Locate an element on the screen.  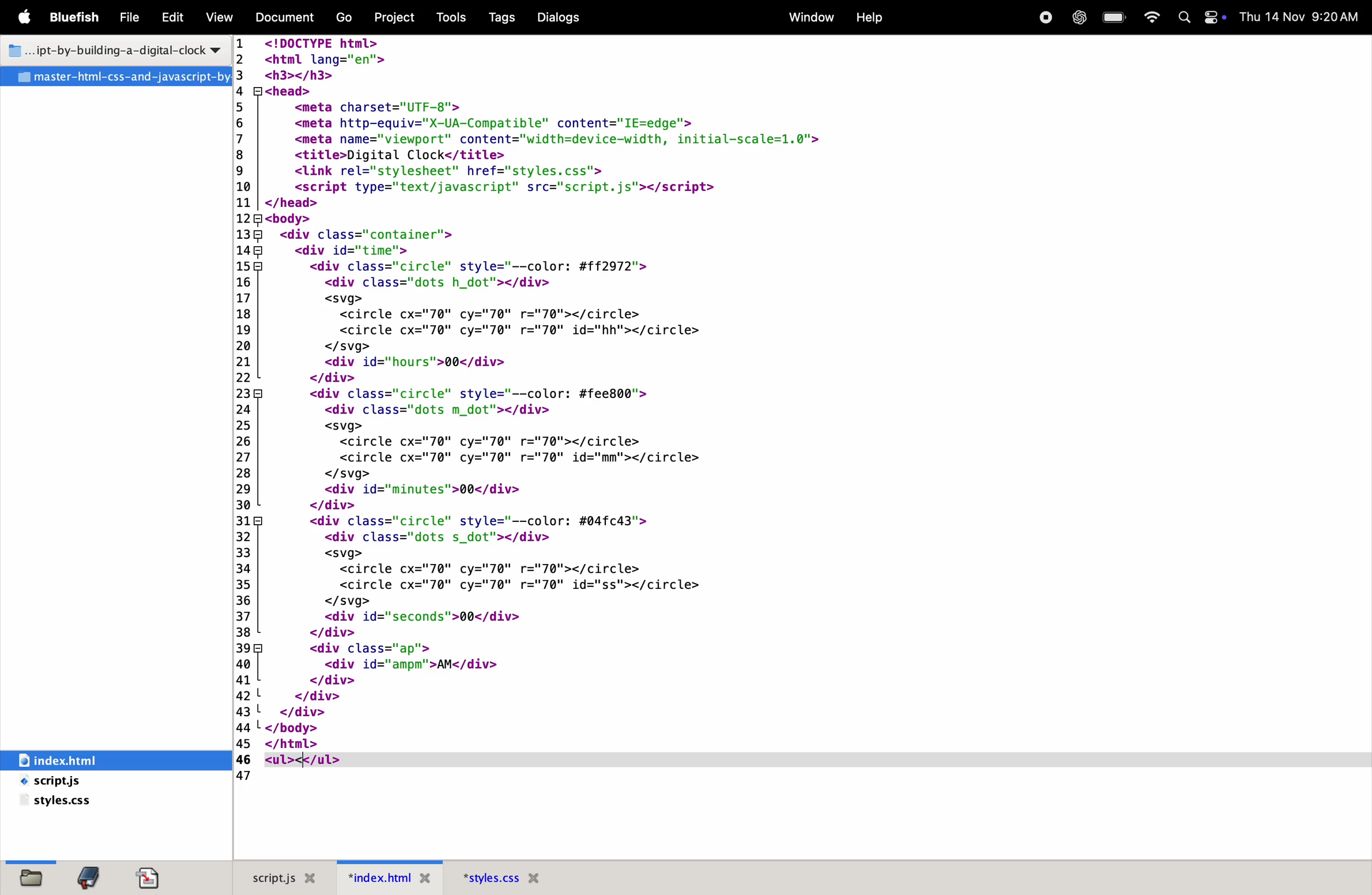
Apple widgets is located at coordinates (1198, 18).